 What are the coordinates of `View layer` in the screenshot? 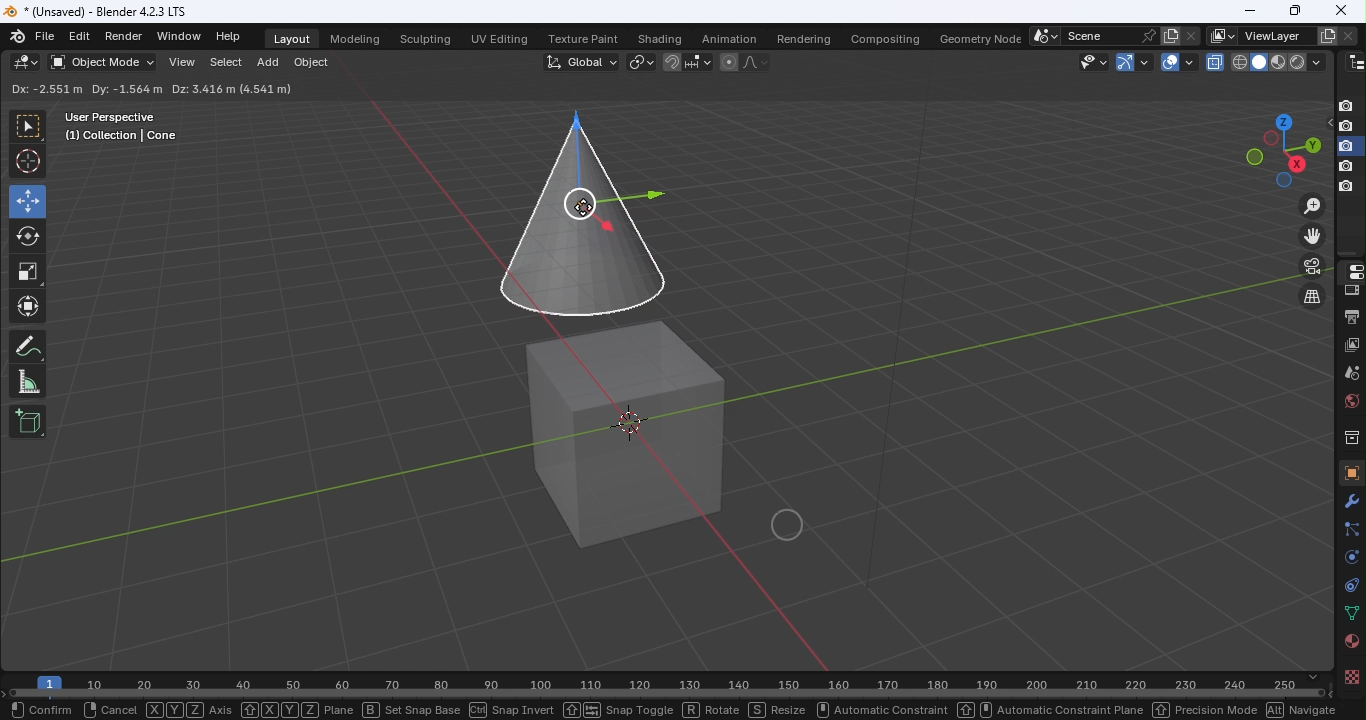 It's located at (1353, 344).